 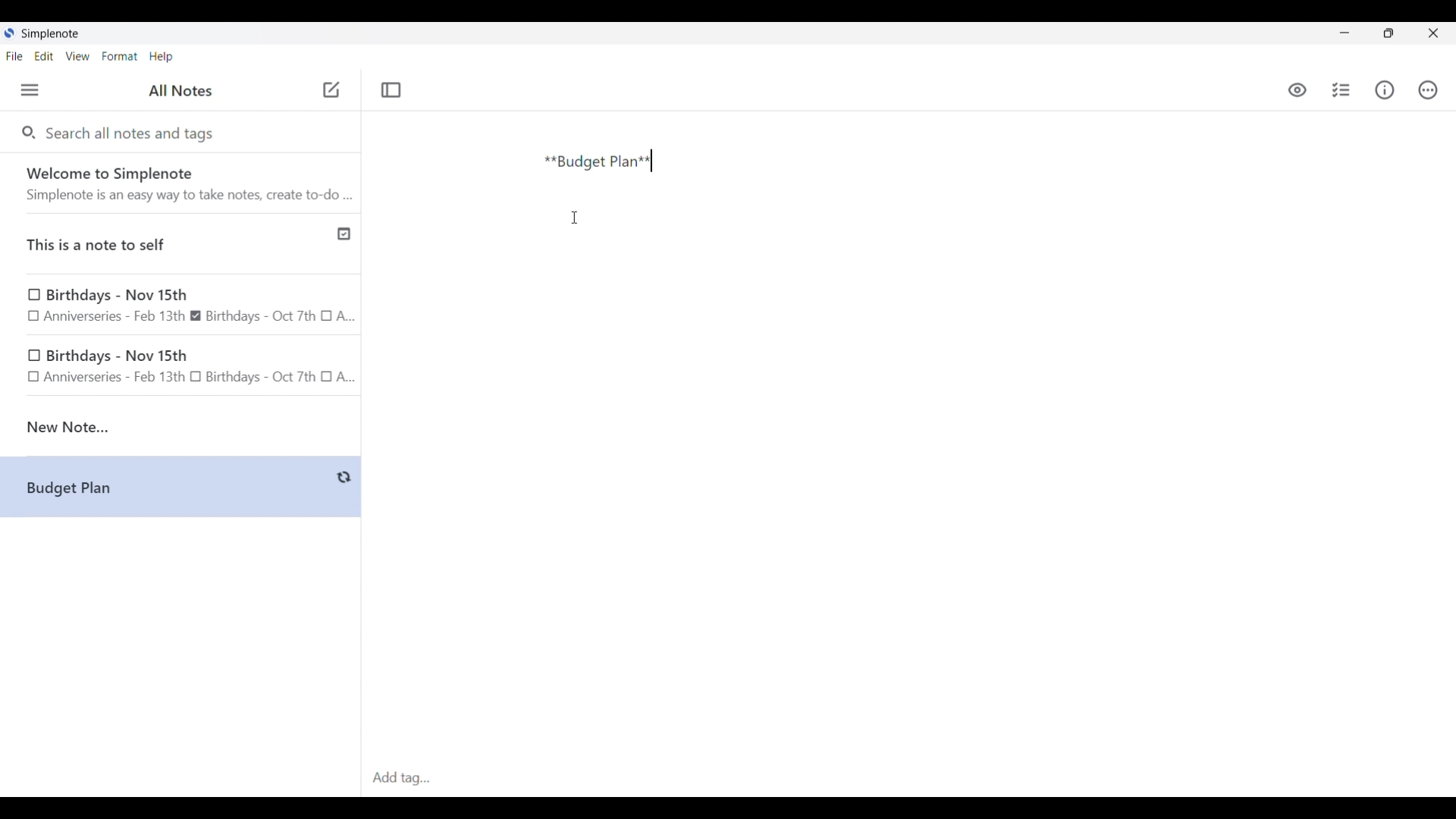 What do you see at coordinates (161, 56) in the screenshot?
I see `Help menu` at bounding box center [161, 56].